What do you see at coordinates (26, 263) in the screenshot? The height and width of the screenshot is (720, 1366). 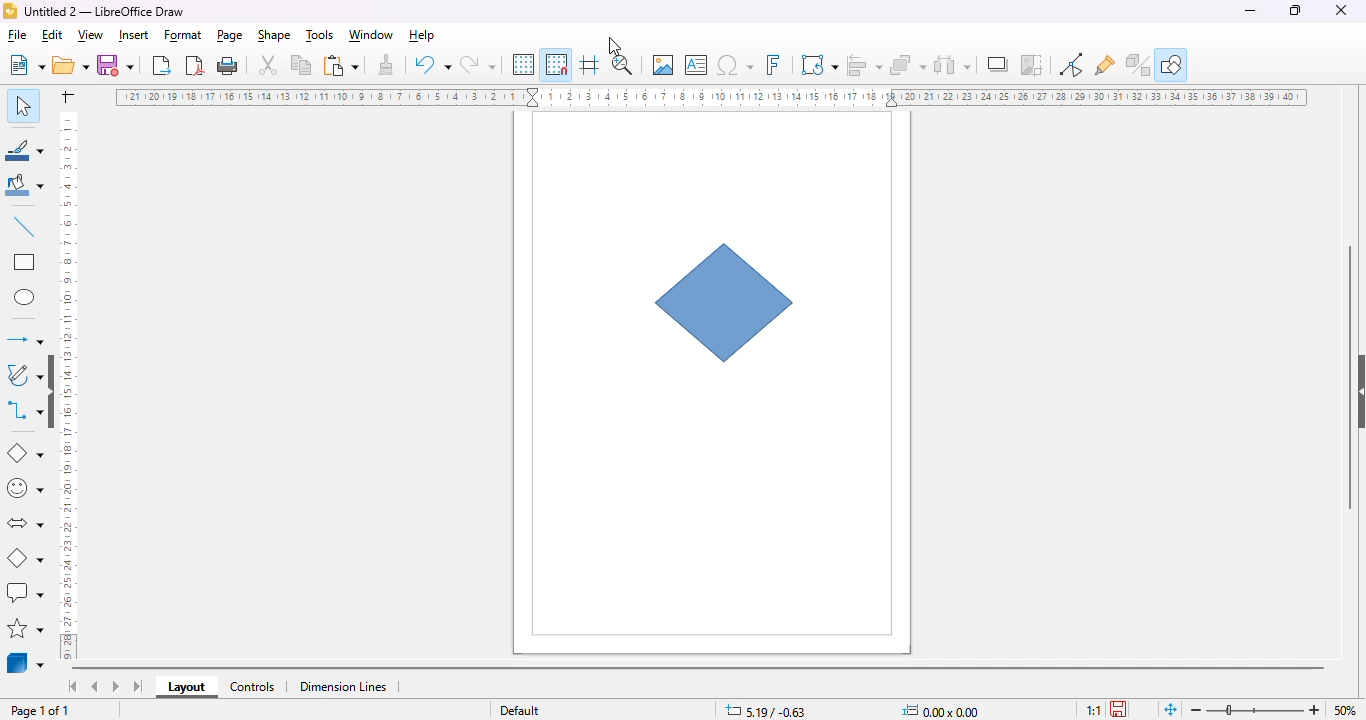 I see `rectangle` at bounding box center [26, 263].